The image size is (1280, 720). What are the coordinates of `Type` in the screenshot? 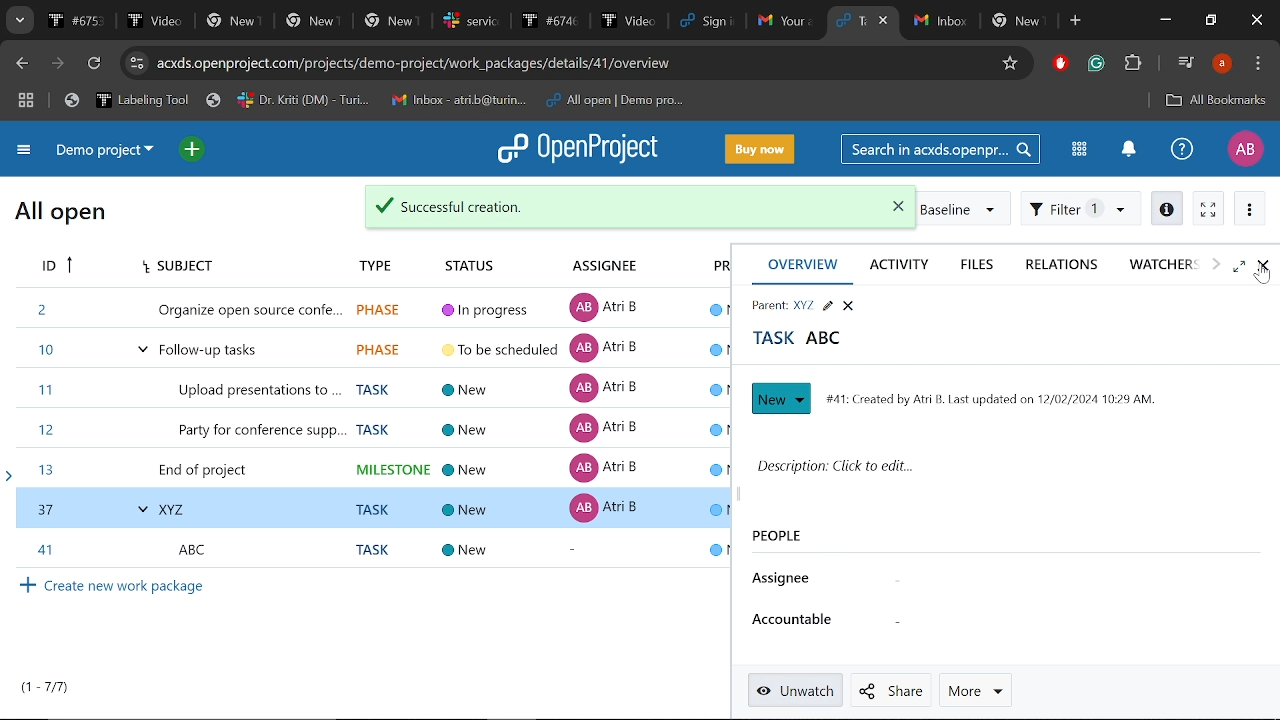 It's located at (369, 262).